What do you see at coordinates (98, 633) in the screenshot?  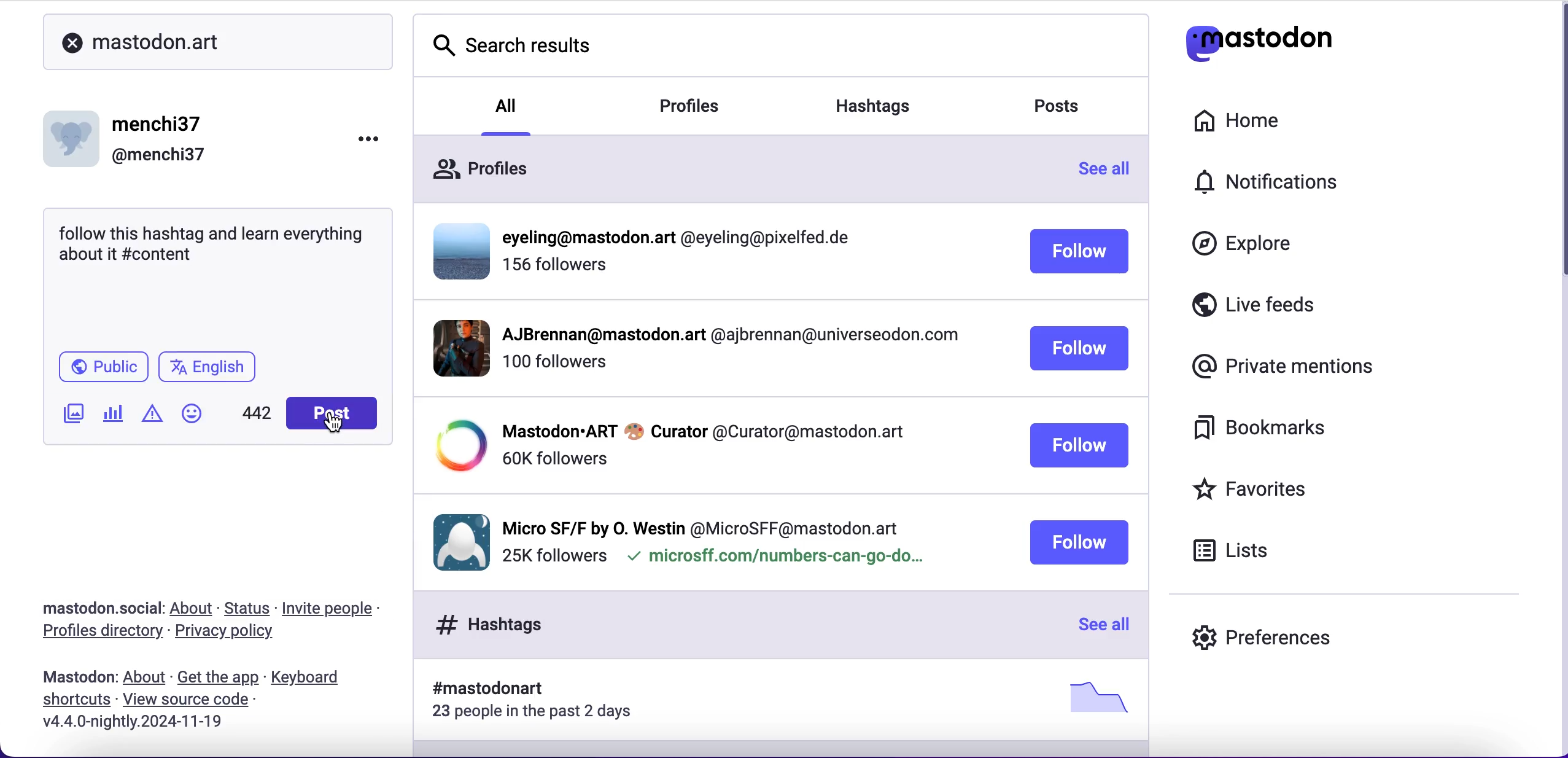 I see `profiles directory` at bounding box center [98, 633].